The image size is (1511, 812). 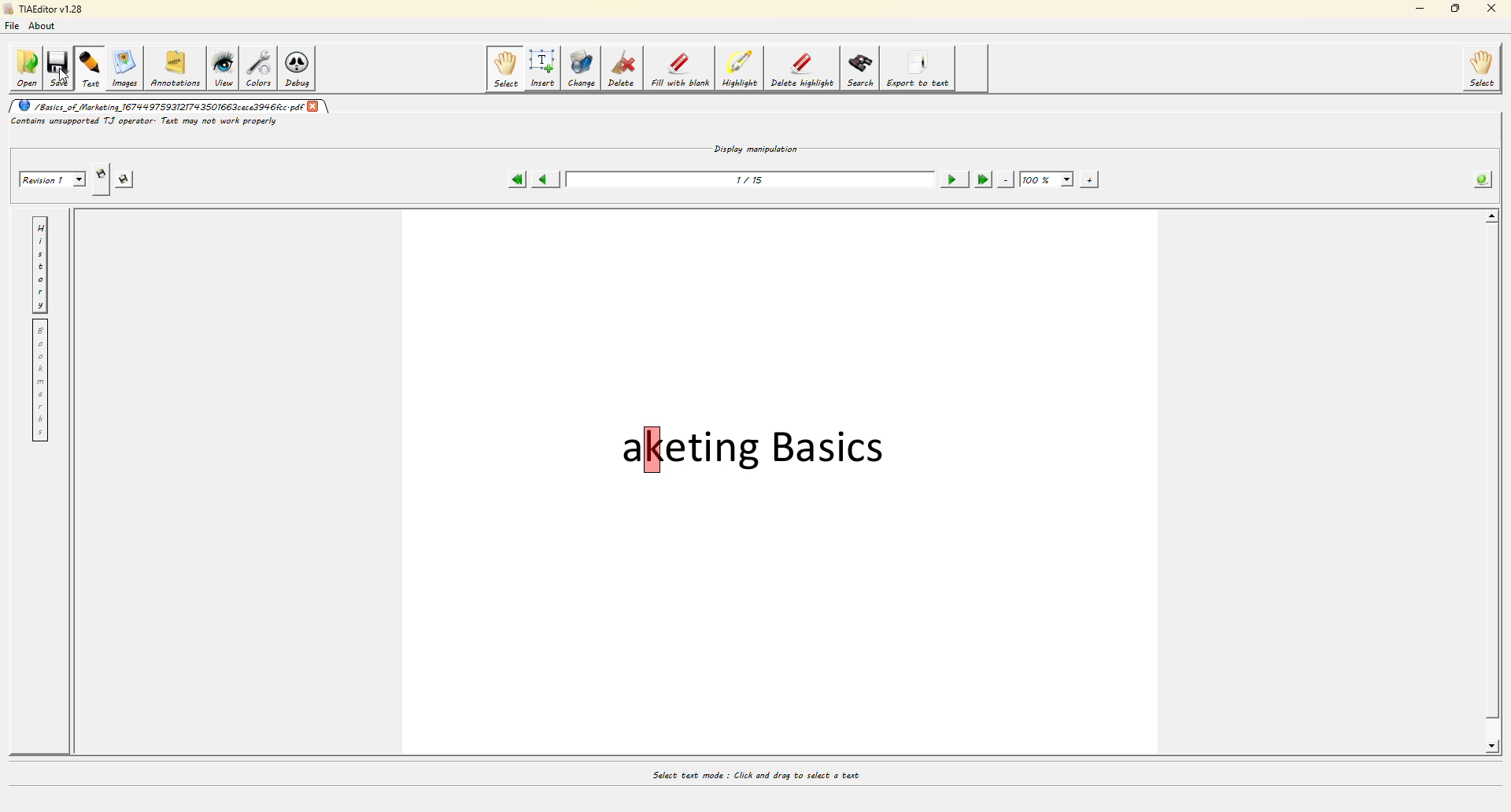 What do you see at coordinates (301, 68) in the screenshot?
I see `debug` at bounding box center [301, 68].